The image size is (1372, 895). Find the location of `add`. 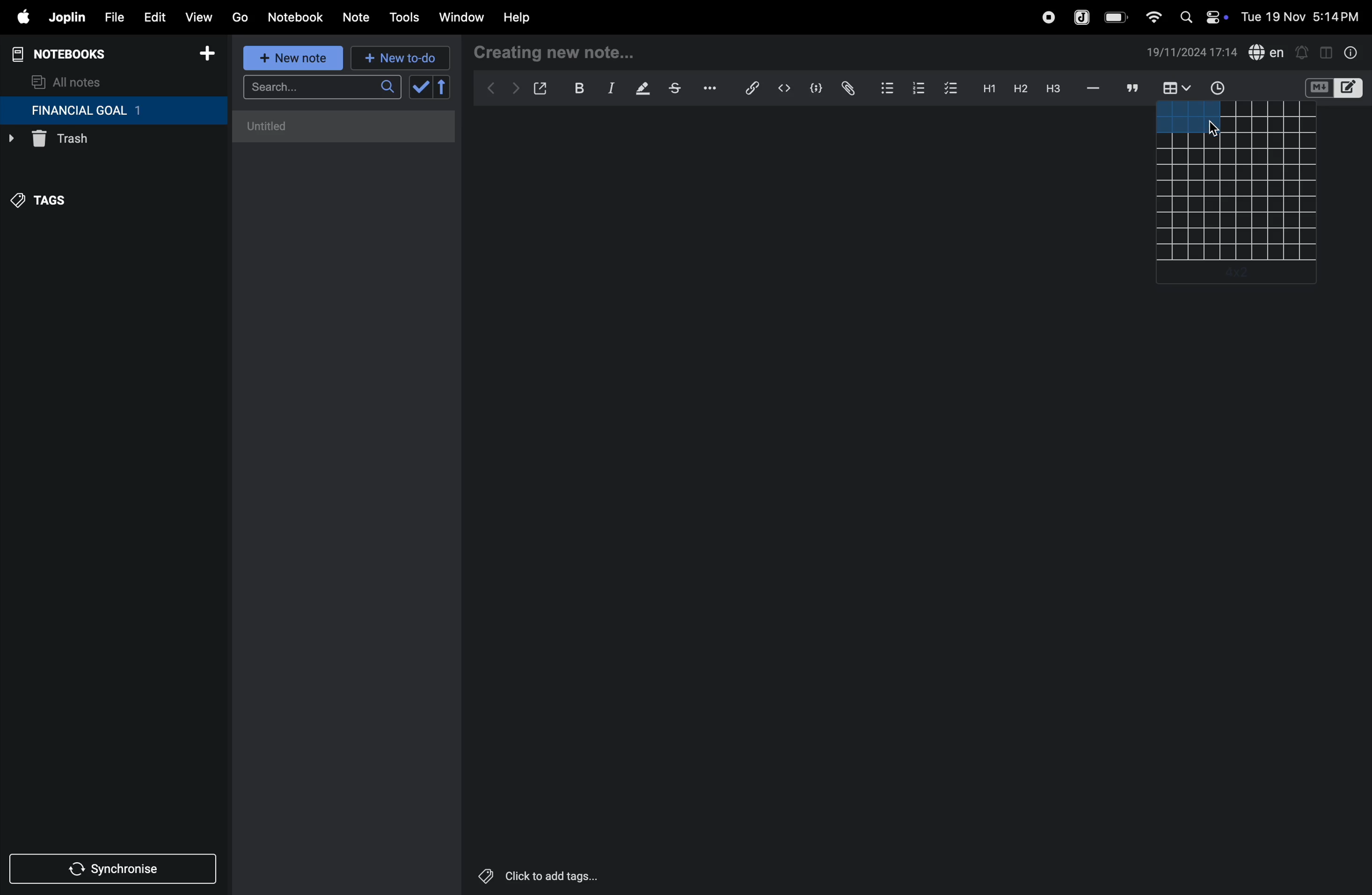

add is located at coordinates (207, 55).